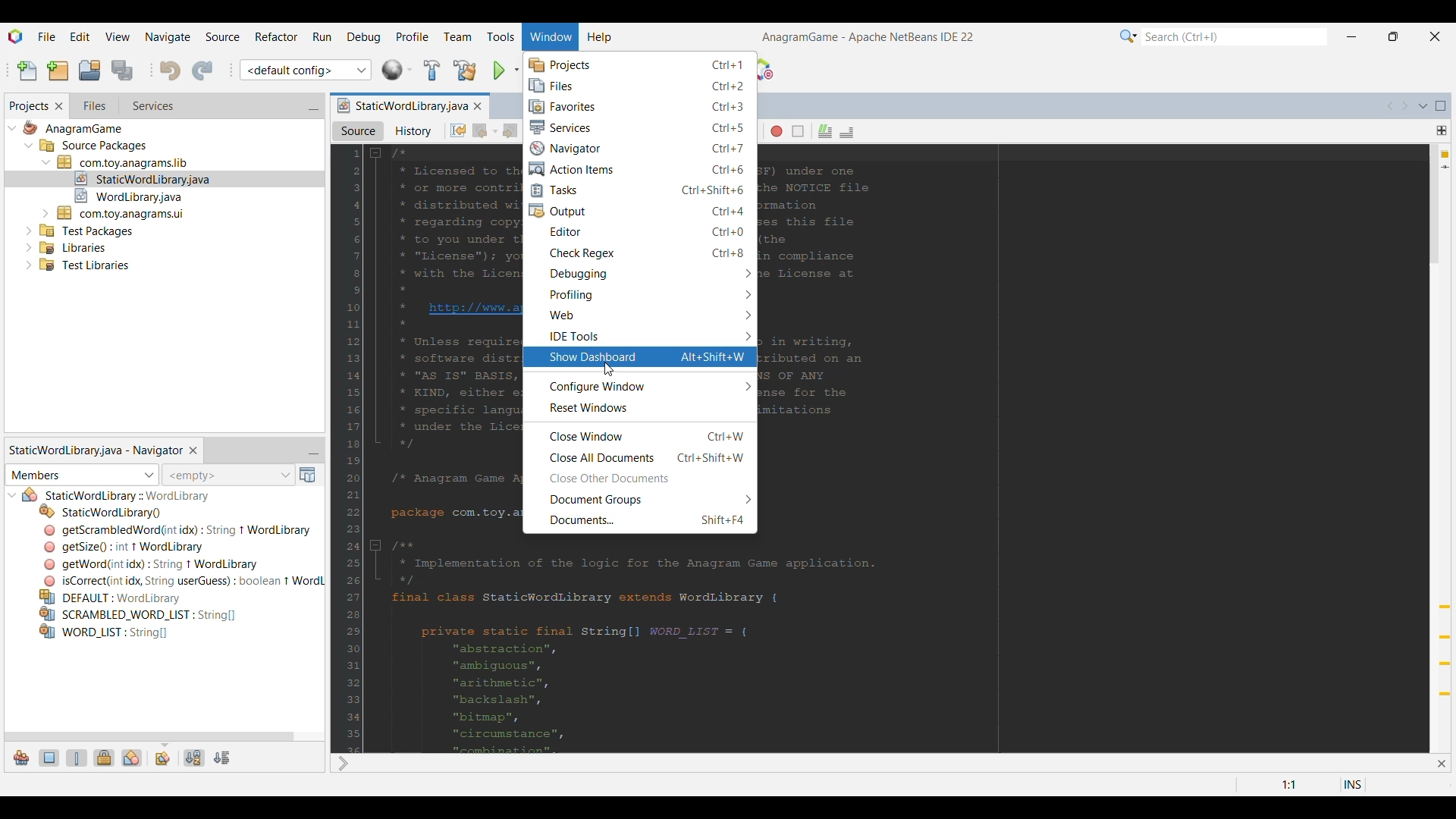 The height and width of the screenshot is (819, 1456). What do you see at coordinates (639, 315) in the screenshot?
I see `Web options` at bounding box center [639, 315].